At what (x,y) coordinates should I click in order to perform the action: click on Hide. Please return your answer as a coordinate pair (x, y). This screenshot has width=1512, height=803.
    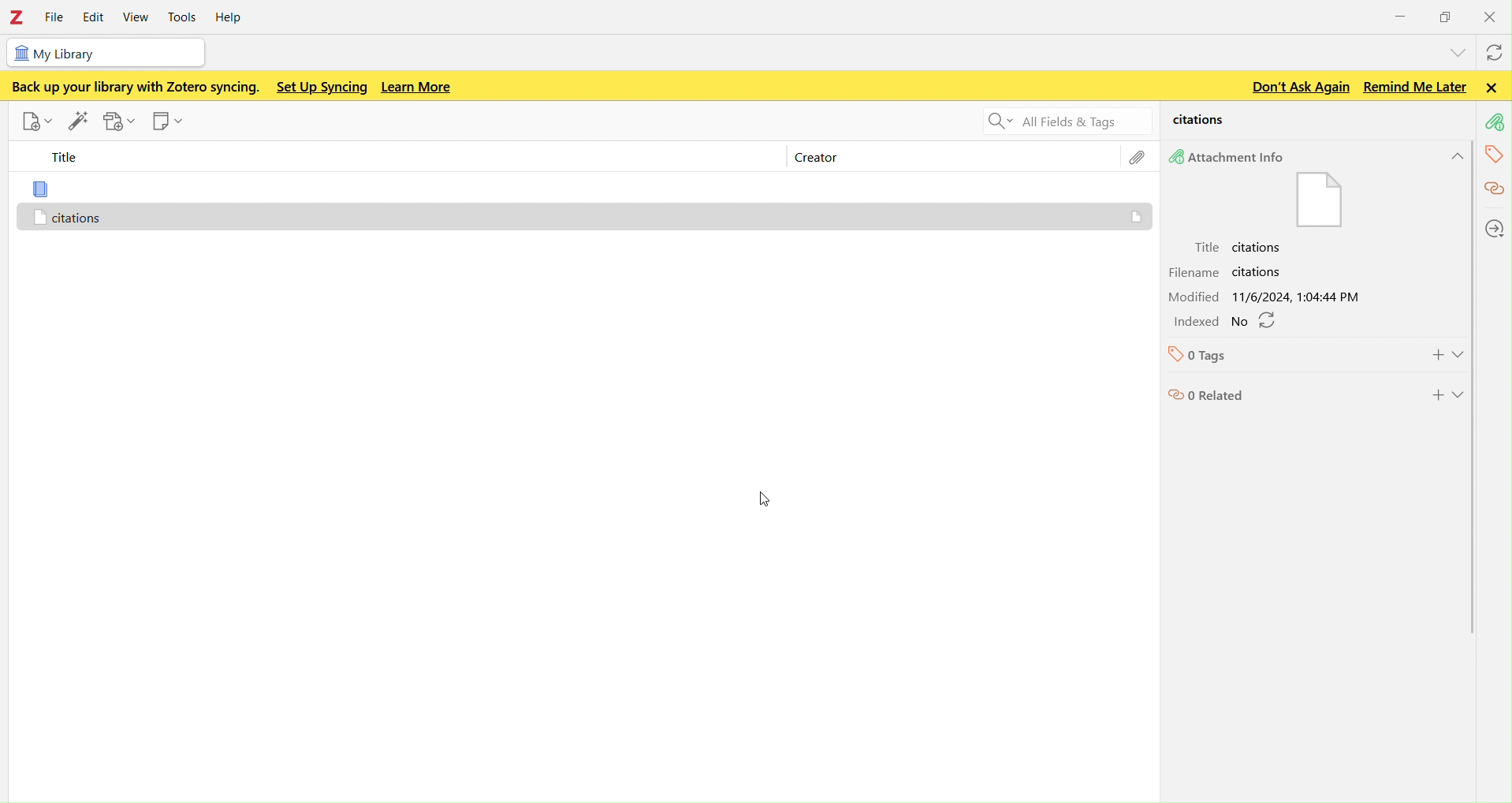
    Looking at the image, I should click on (1453, 156).